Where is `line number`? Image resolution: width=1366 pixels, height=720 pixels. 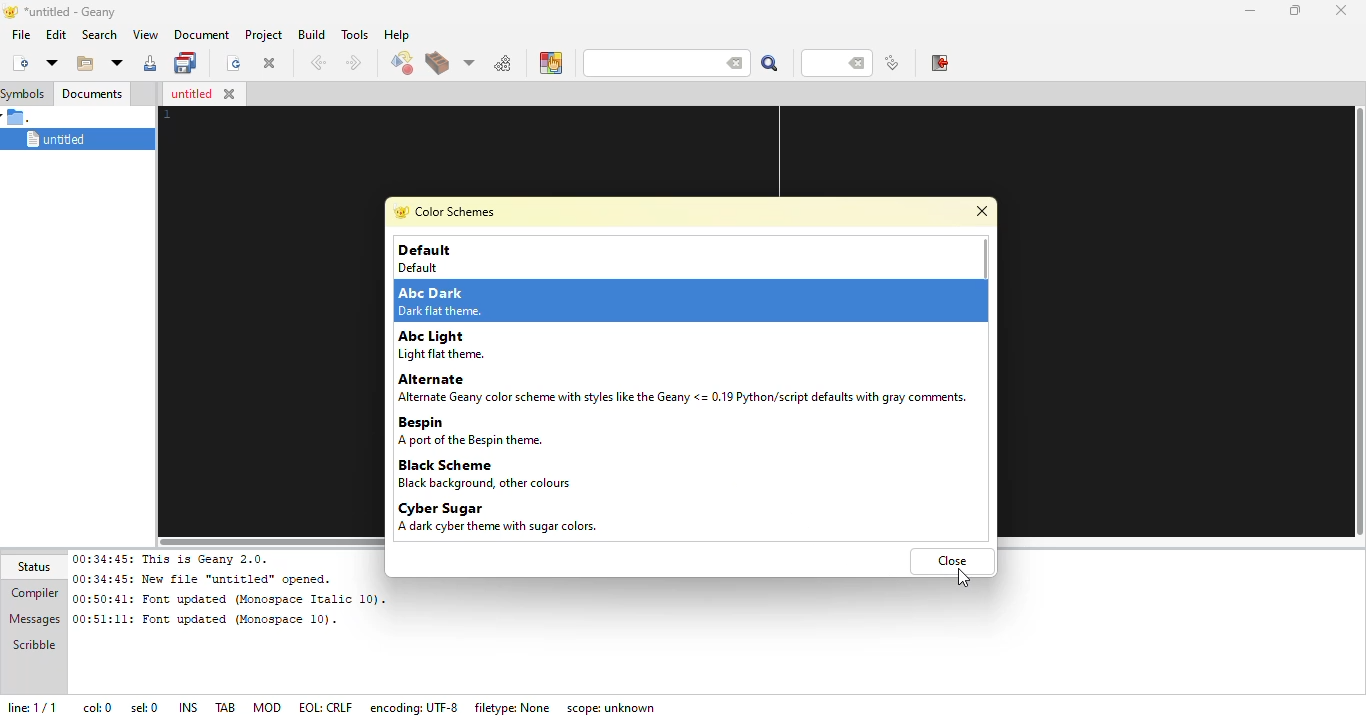 line number is located at coordinates (826, 63).